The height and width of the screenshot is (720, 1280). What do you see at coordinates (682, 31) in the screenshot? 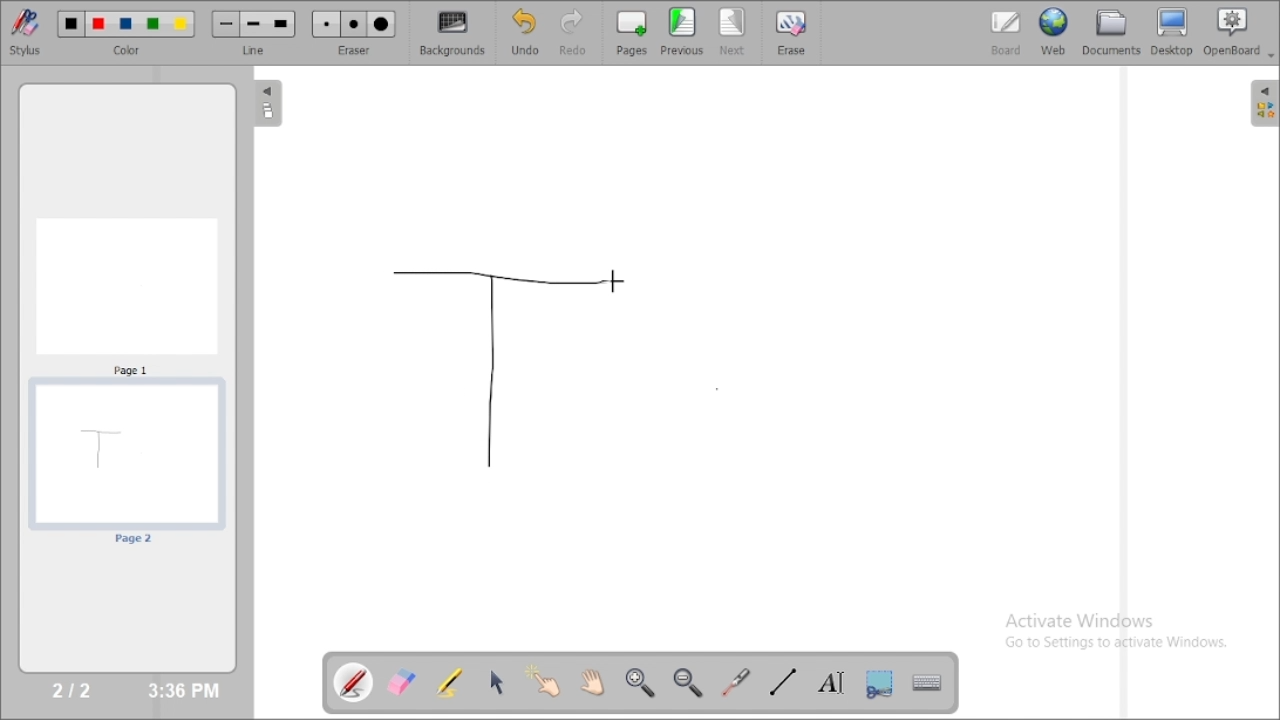
I see `previous` at bounding box center [682, 31].